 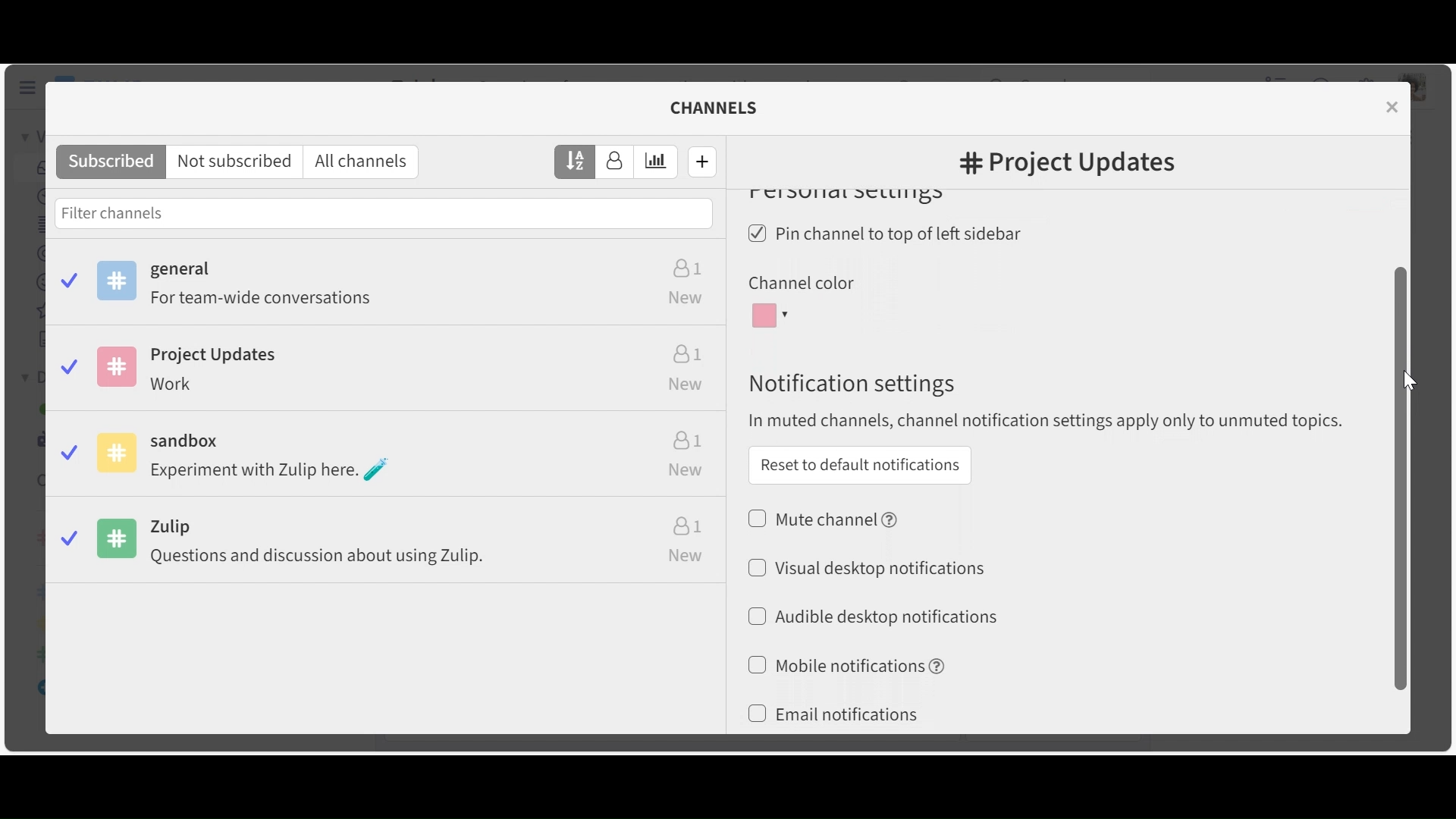 What do you see at coordinates (1067, 165) in the screenshot?
I see `#Channel` at bounding box center [1067, 165].